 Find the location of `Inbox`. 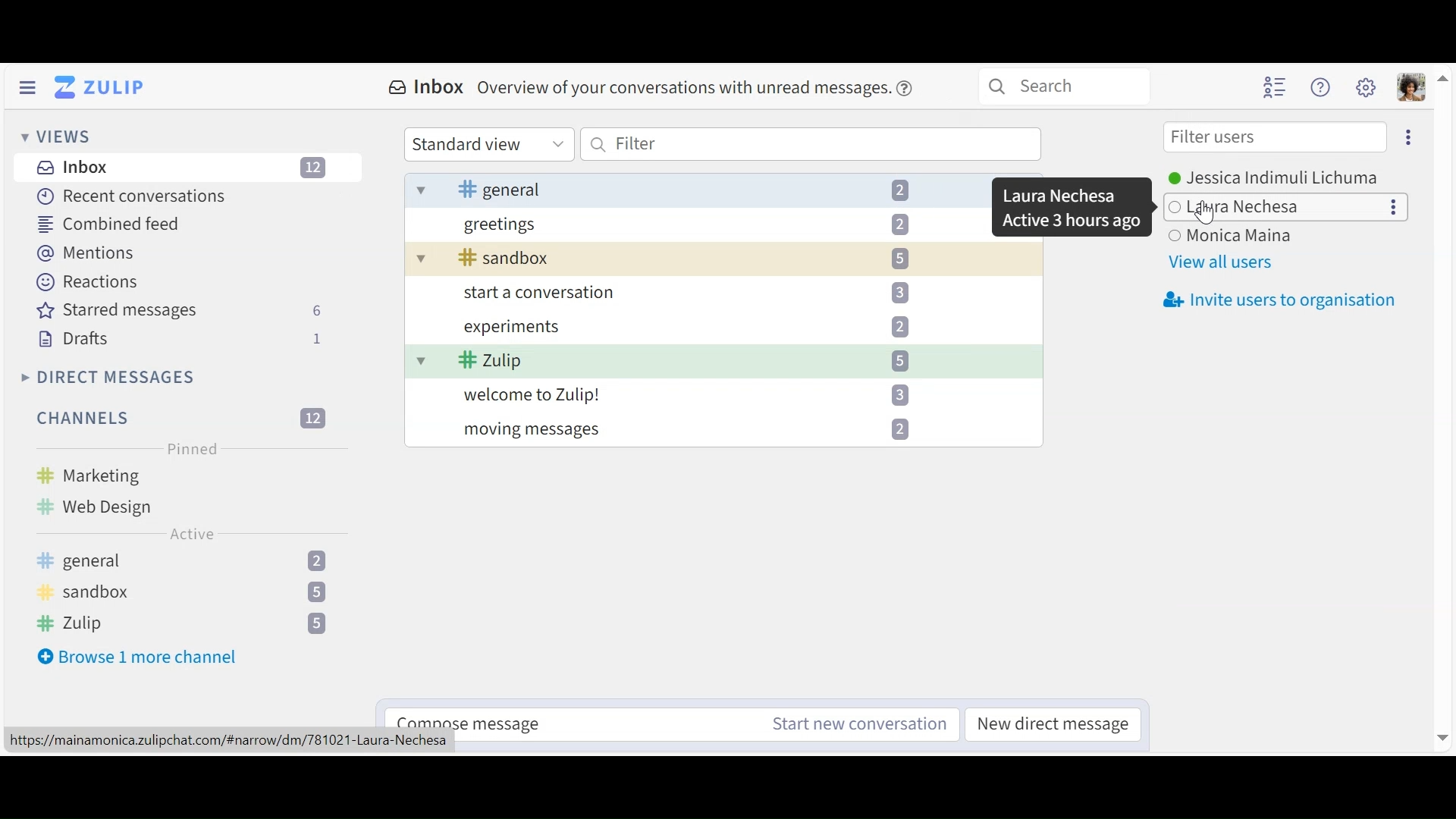

Inbox is located at coordinates (190, 168).